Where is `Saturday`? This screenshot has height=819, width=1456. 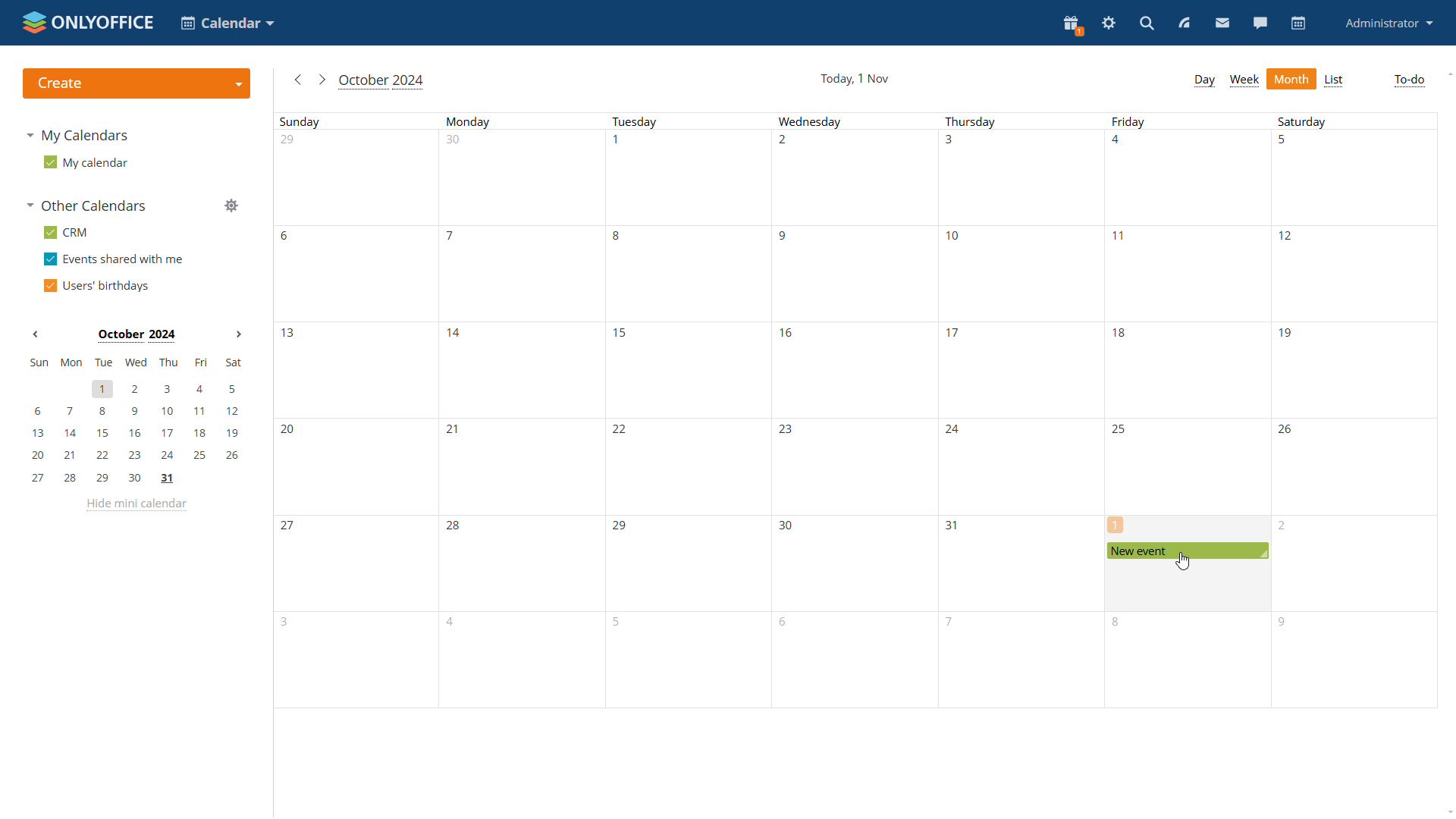 Saturday is located at coordinates (1351, 411).